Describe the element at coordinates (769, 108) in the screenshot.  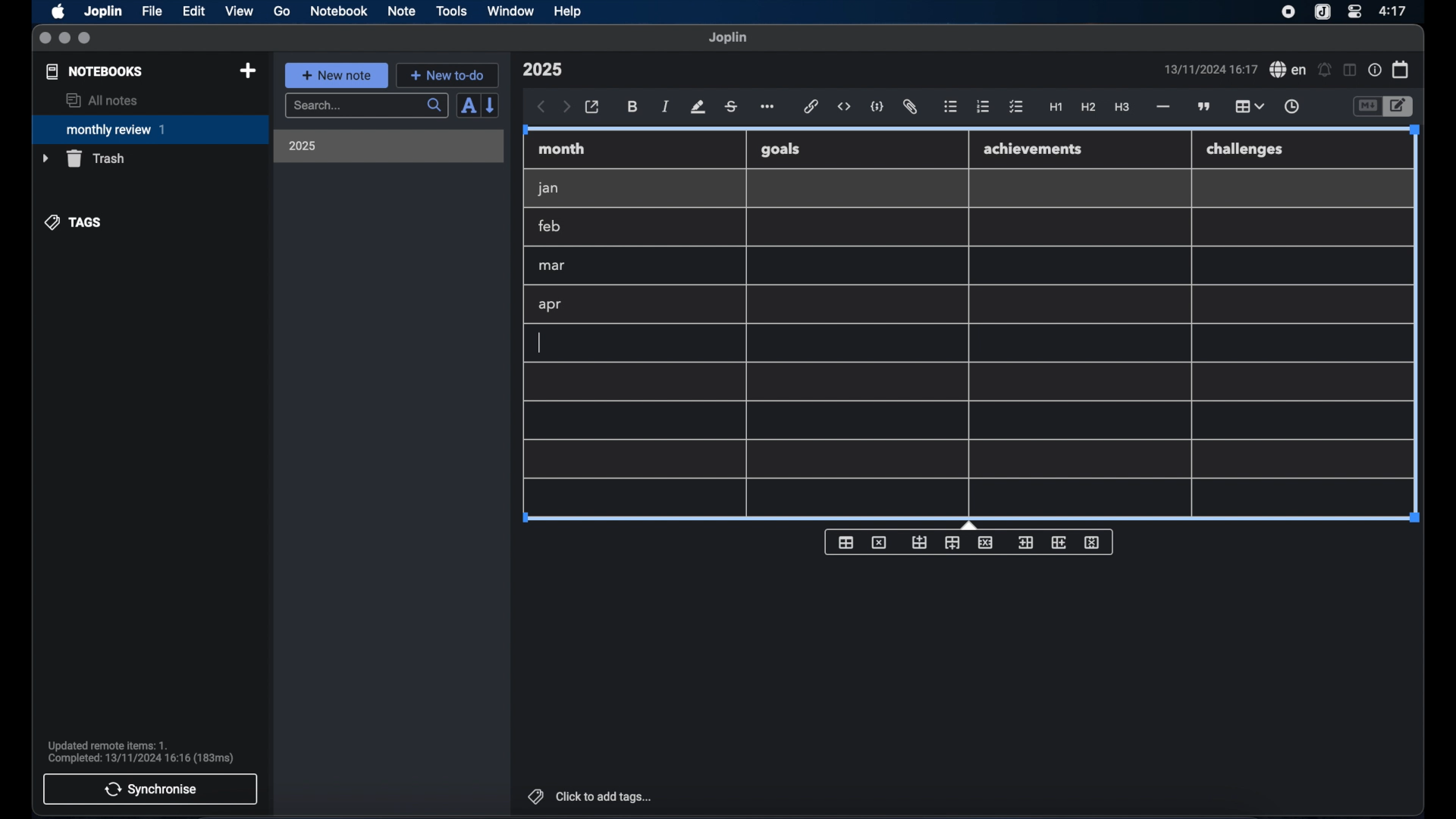
I see `more options` at that location.